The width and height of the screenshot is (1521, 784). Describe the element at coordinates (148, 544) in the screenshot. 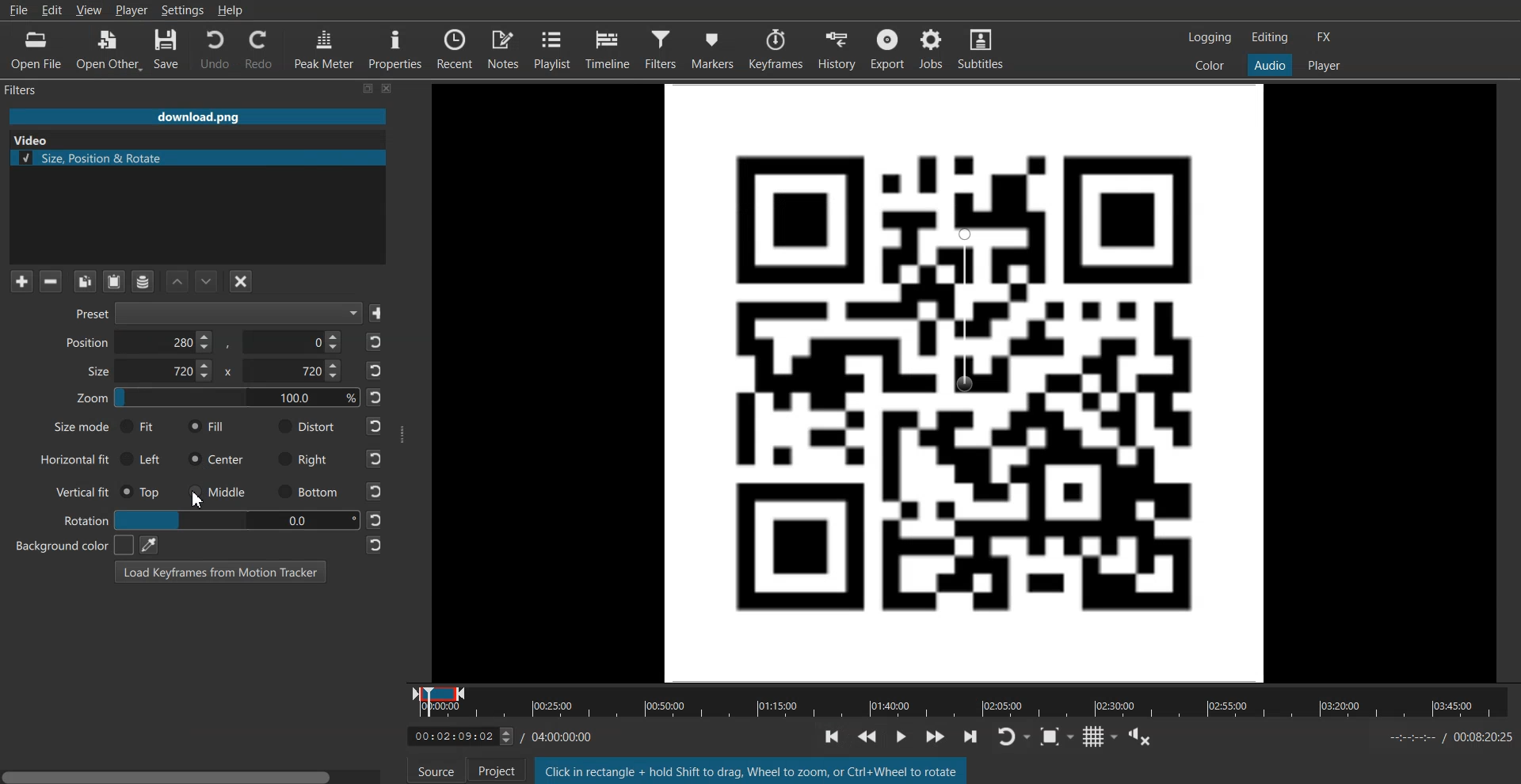

I see `Pic color from the screen` at that location.